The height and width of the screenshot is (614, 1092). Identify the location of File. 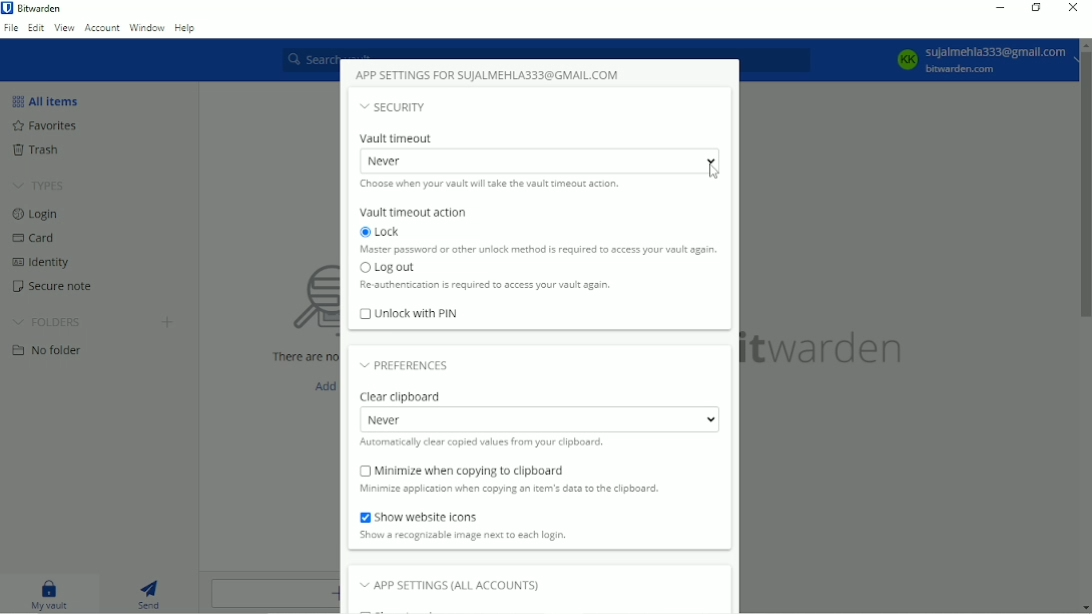
(10, 30).